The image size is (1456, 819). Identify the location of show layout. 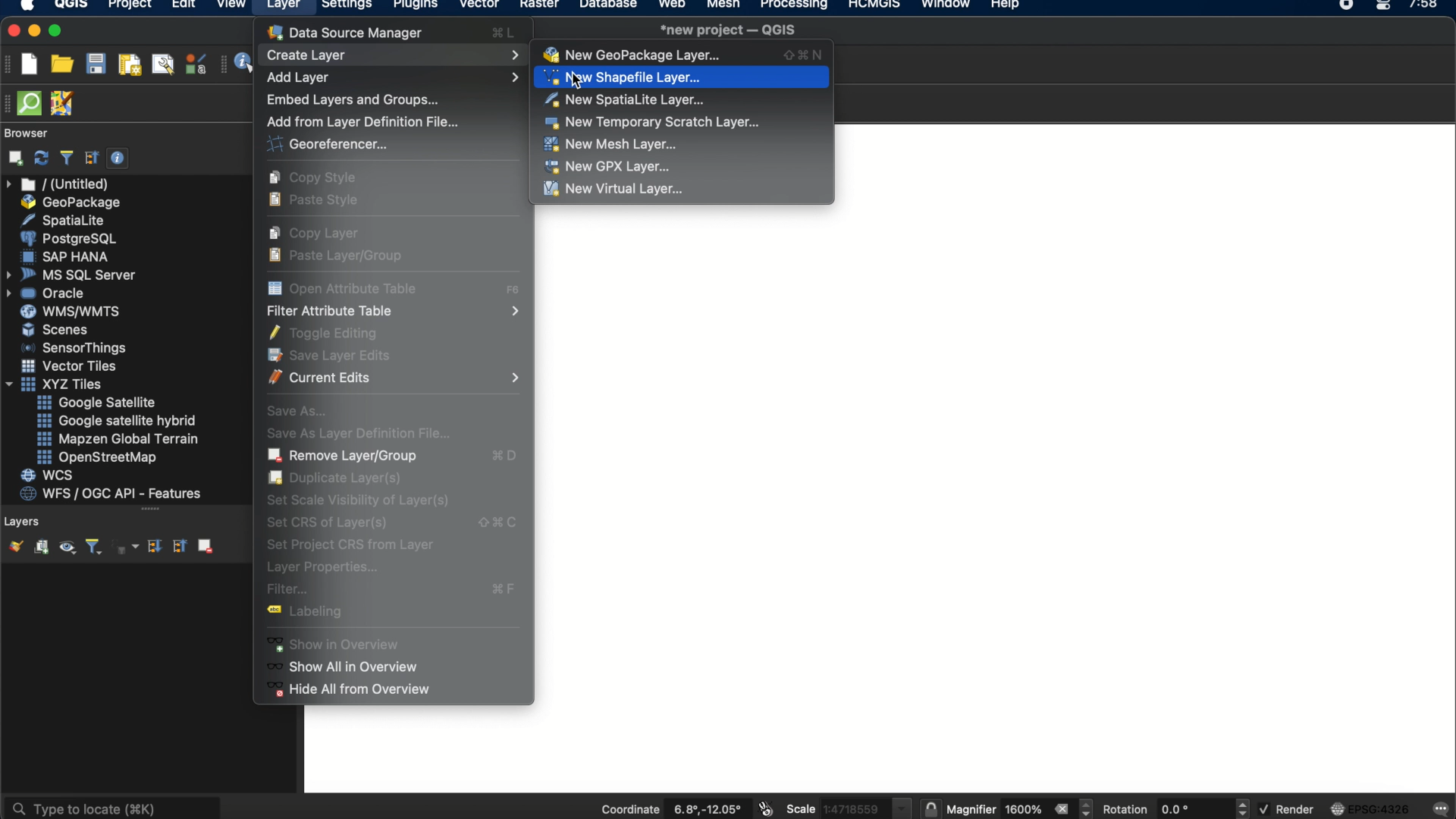
(163, 64).